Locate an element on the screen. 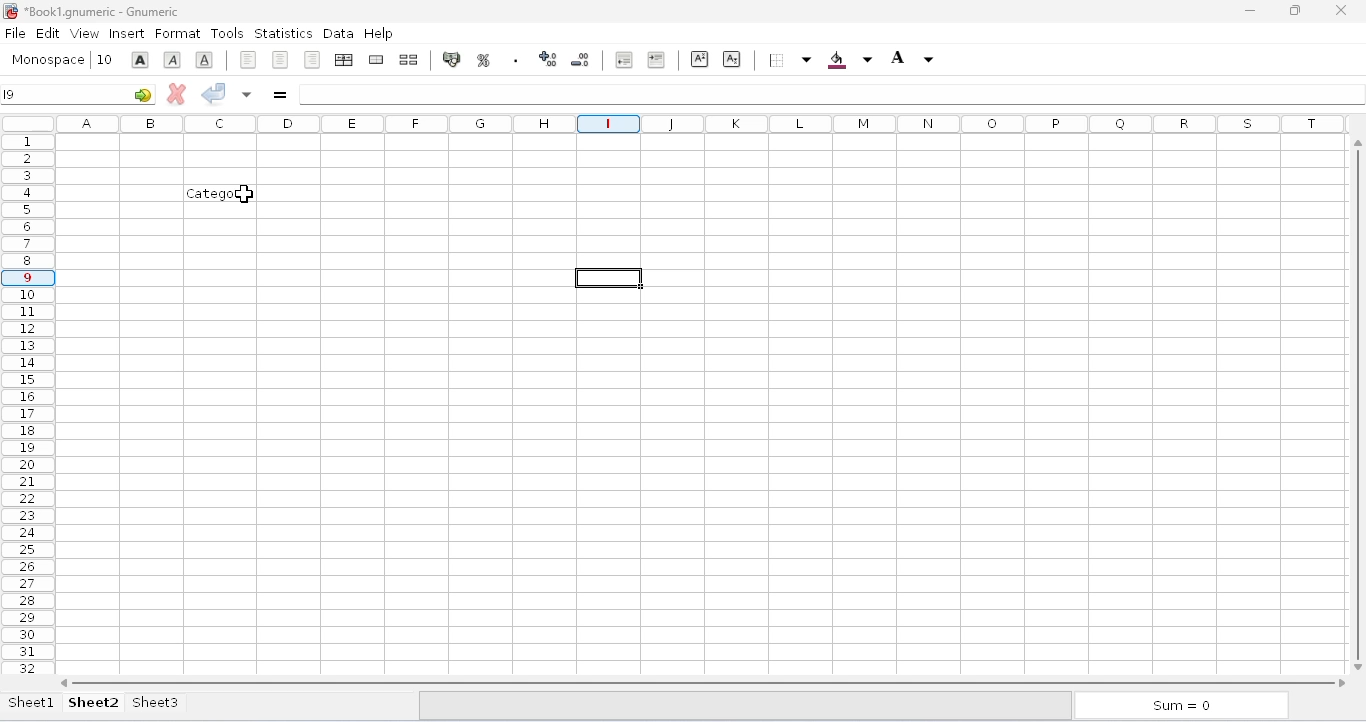  formula bar is located at coordinates (832, 94).